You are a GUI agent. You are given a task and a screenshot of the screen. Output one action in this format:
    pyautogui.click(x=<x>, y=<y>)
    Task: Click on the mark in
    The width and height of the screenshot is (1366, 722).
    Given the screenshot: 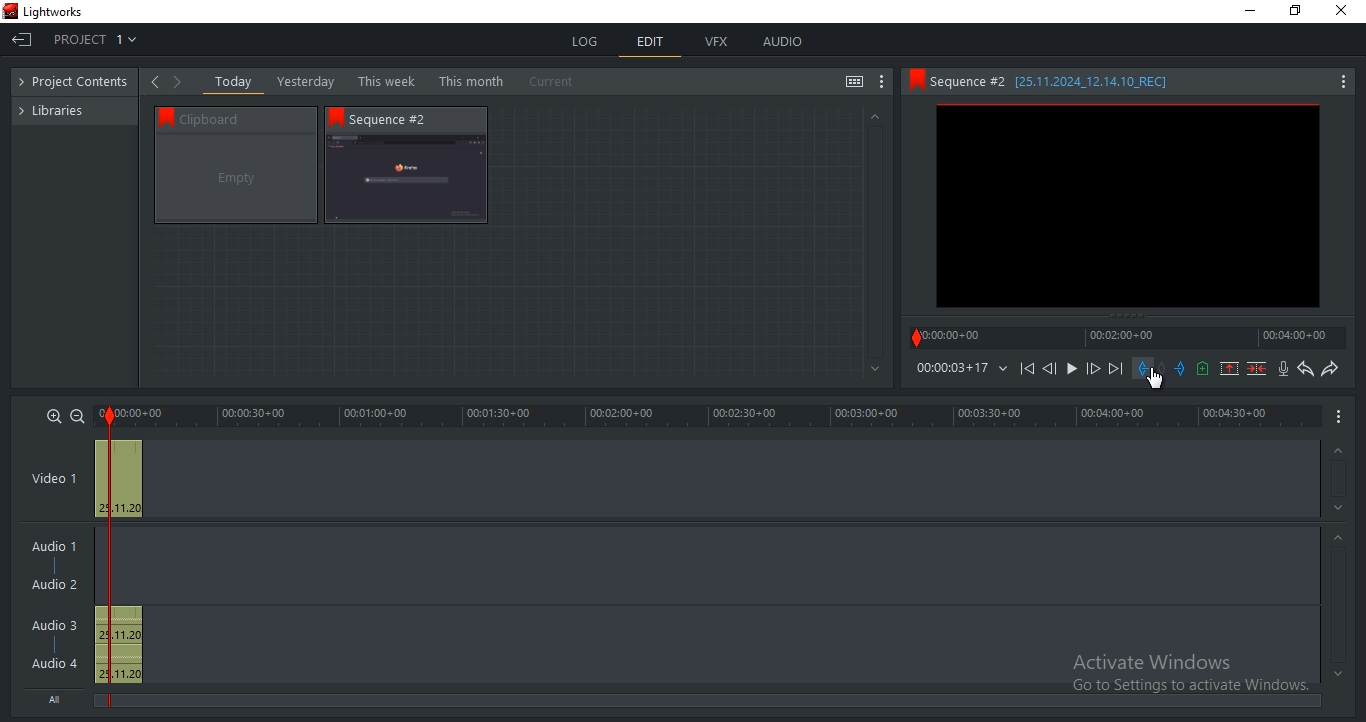 What is the action you would take?
    pyautogui.click(x=1143, y=368)
    